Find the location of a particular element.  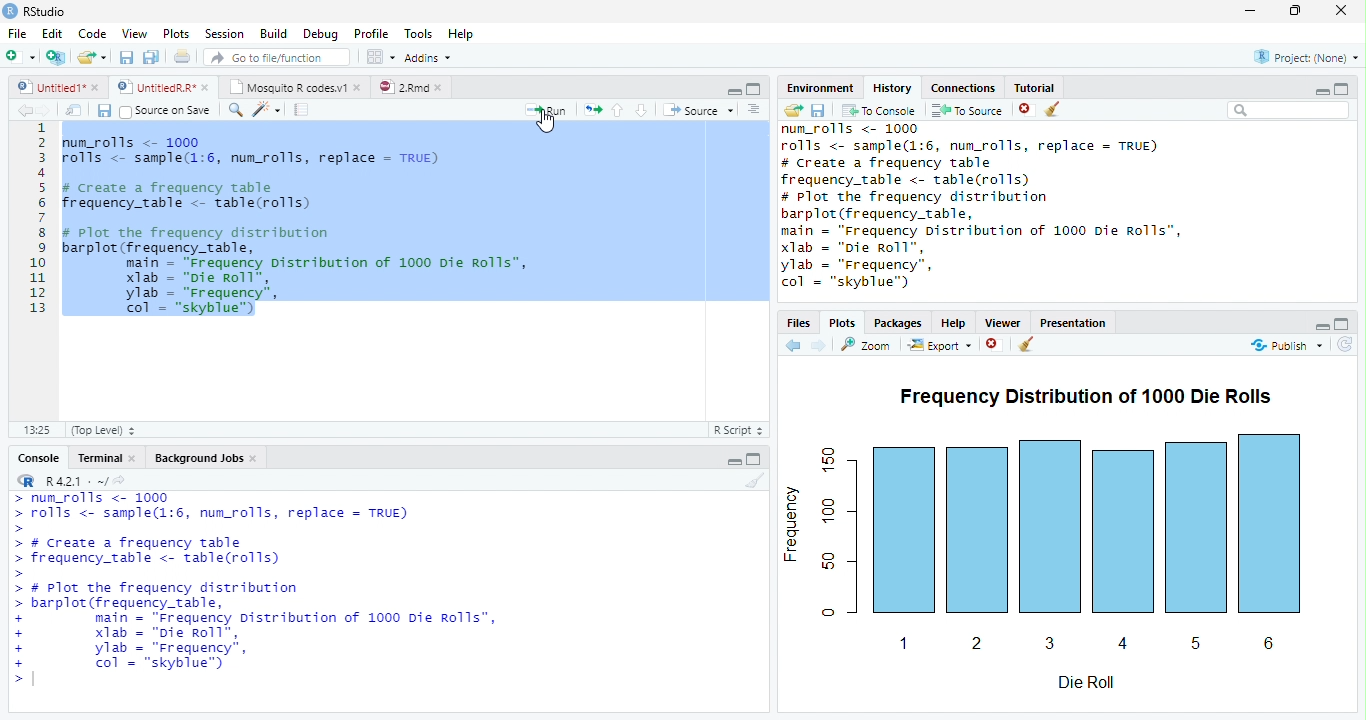

Minimize Height is located at coordinates (1321, 91).